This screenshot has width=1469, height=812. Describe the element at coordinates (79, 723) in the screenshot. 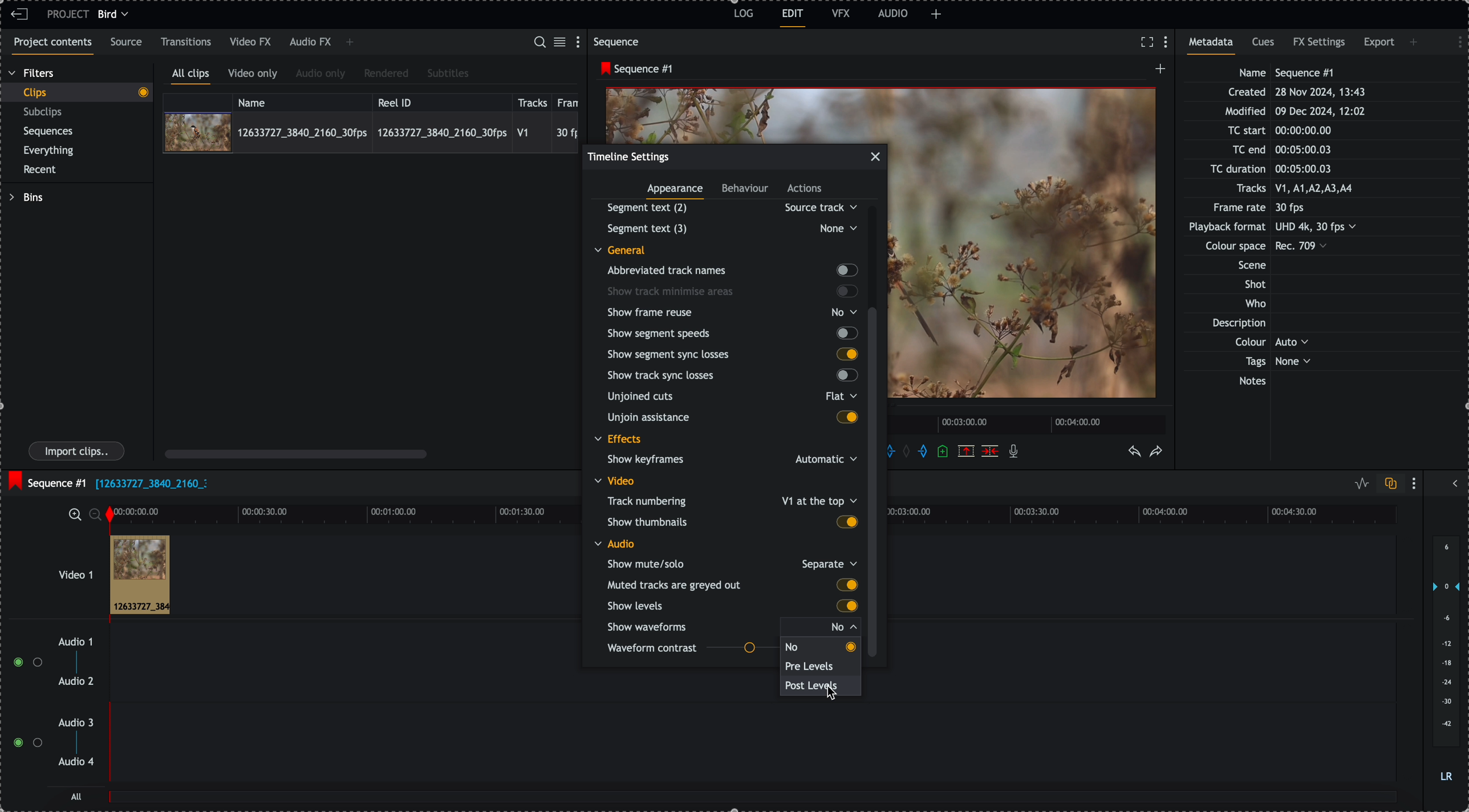

I see `audio 3` at that location.